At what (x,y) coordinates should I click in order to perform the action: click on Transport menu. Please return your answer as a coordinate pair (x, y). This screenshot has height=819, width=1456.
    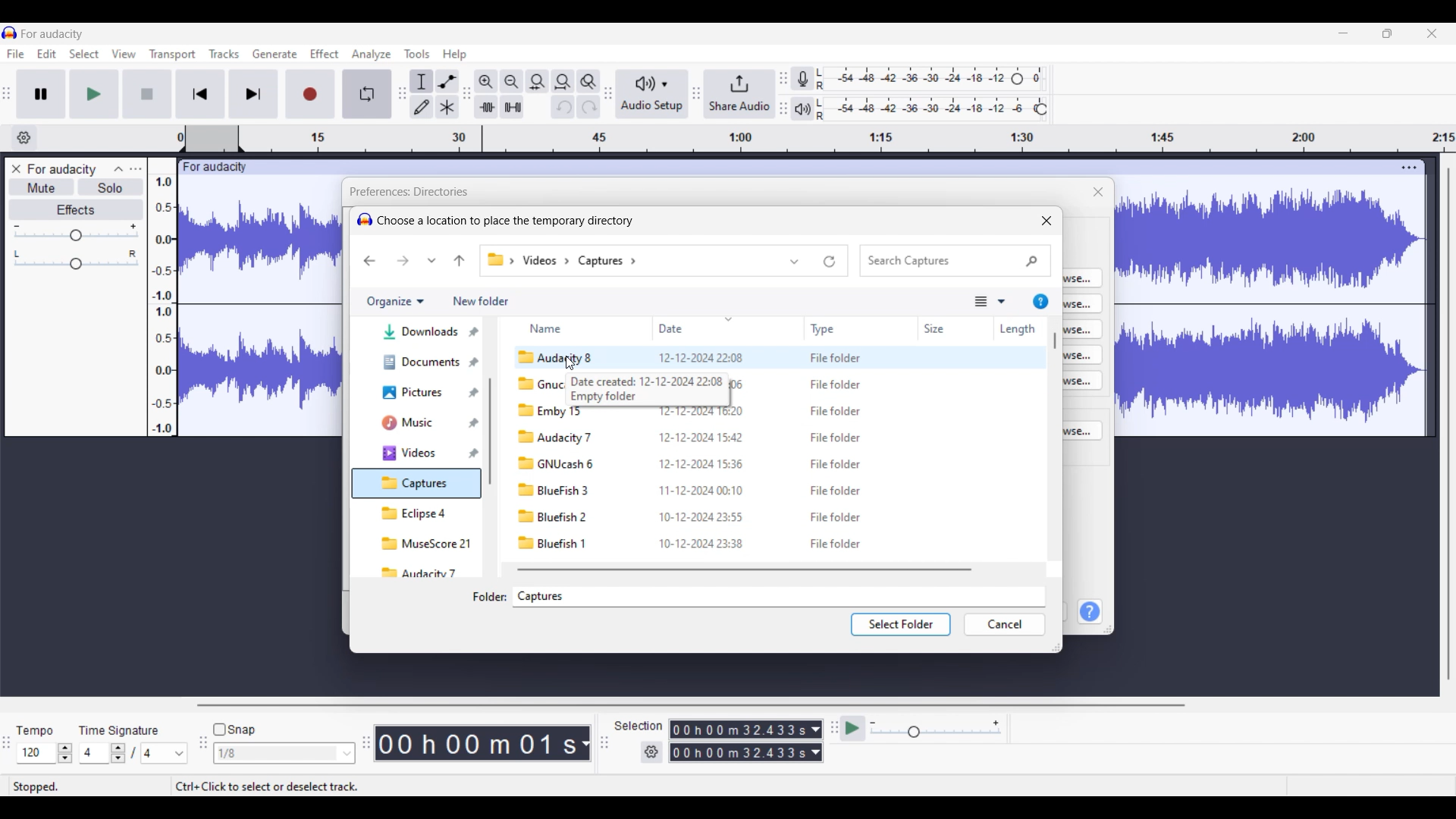
    Looking at the image, I should click on (173, 55).